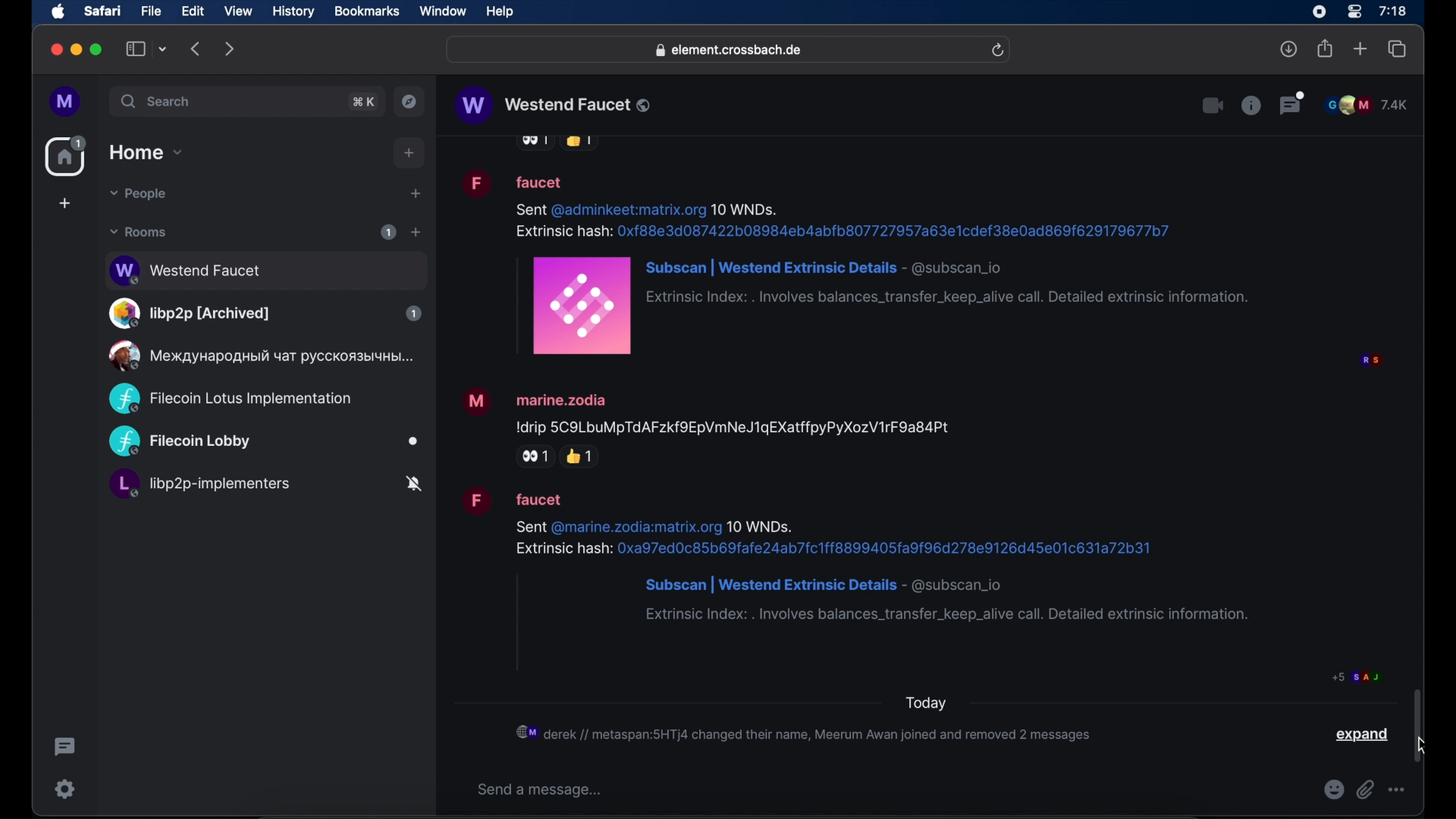 Image resolution: width=1456 pixels, height=819 pixels. I want to click on view, so click(237, 11).